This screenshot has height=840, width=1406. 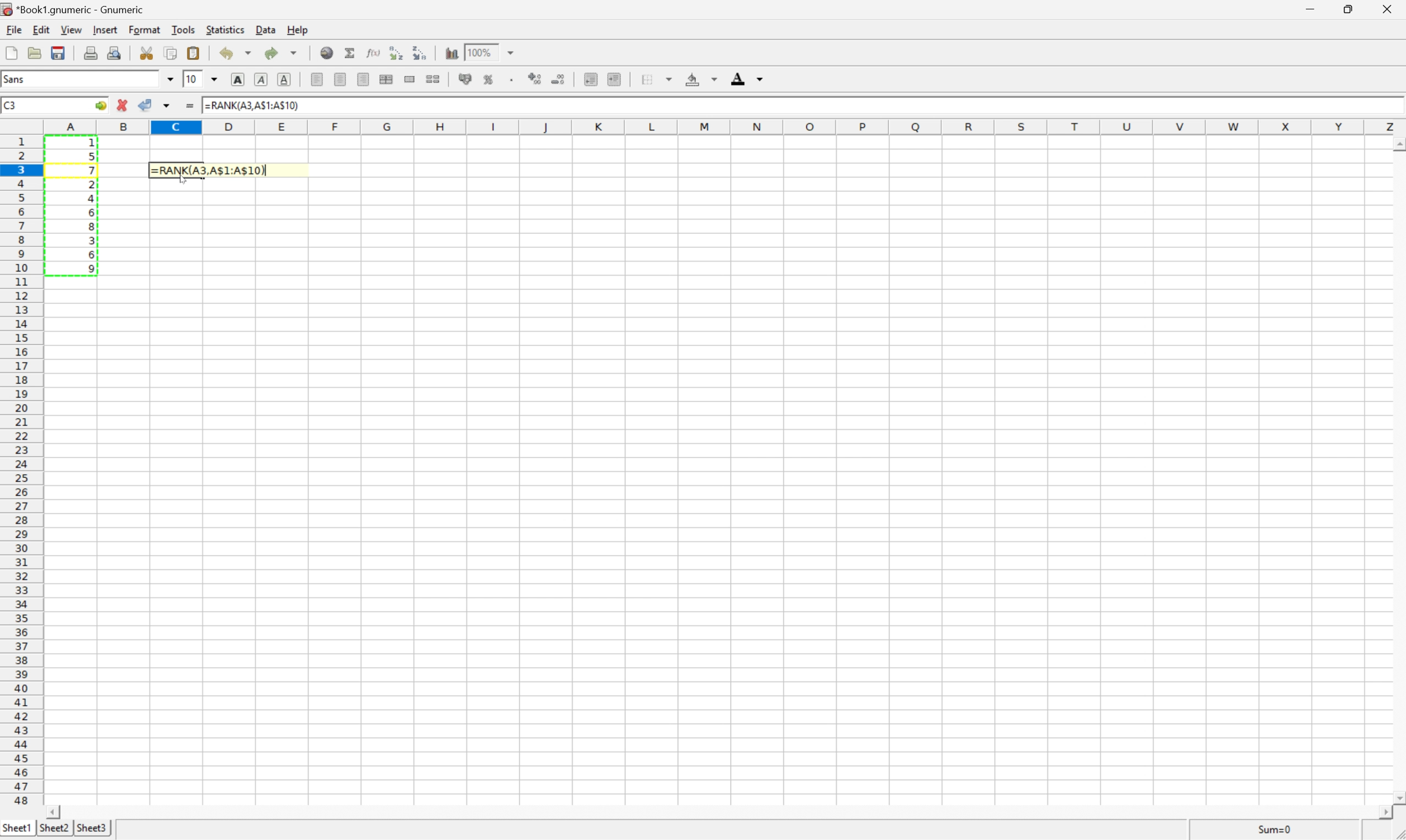 I want to click on restore down, so click(x=1351, y=10).